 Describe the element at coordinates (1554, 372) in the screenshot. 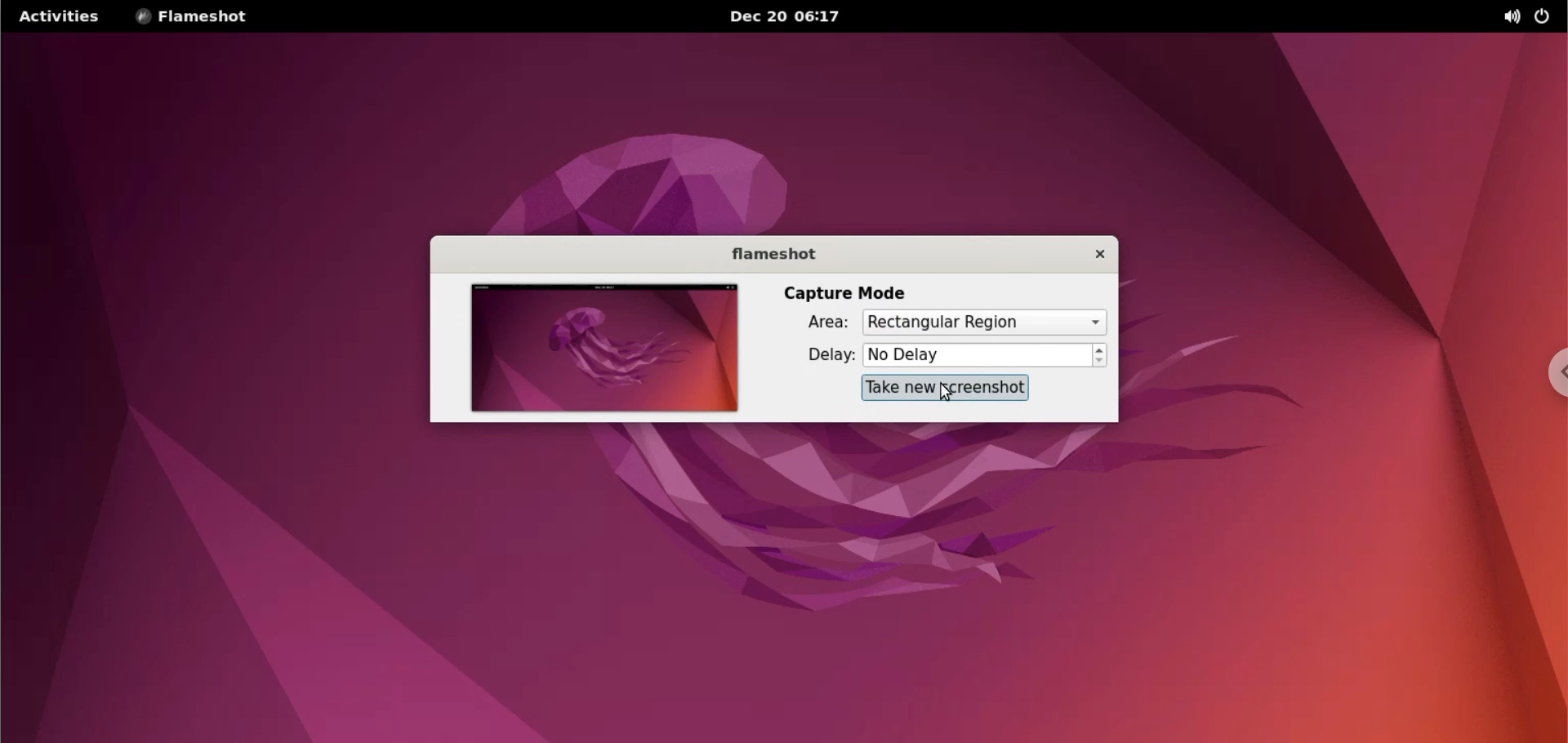

I see `chrome options` at that location.